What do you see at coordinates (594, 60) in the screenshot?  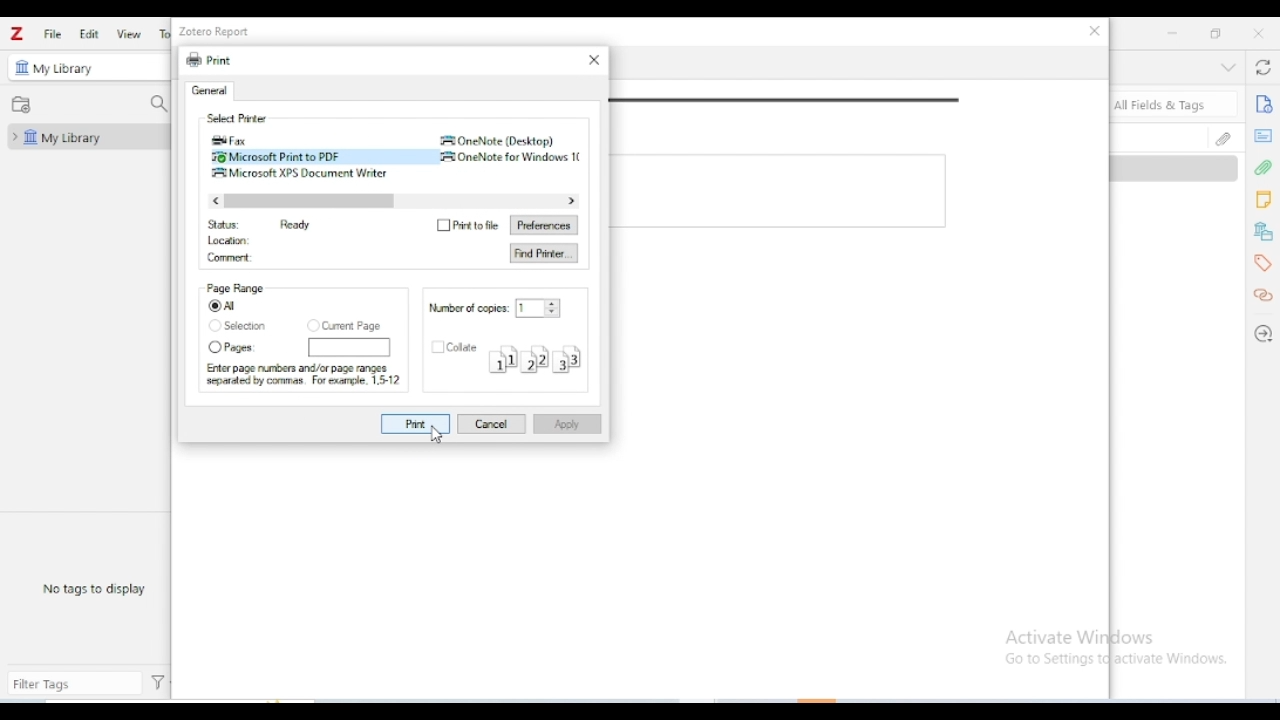 I see `close` at bounding box center [594, 60].